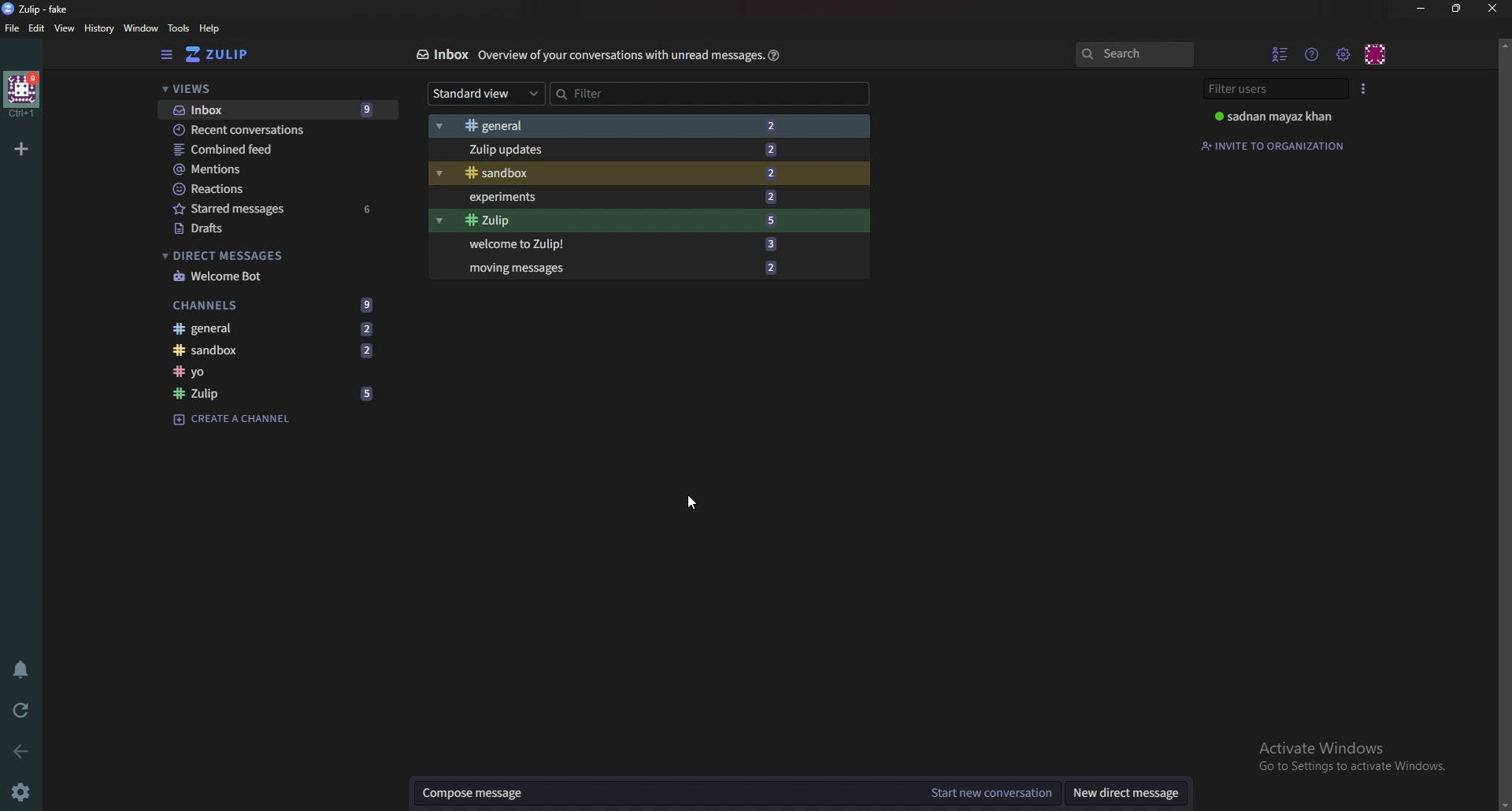 The width and height of the screenshot is (1512, 811). I want to click on Edit, so click(36, 29).